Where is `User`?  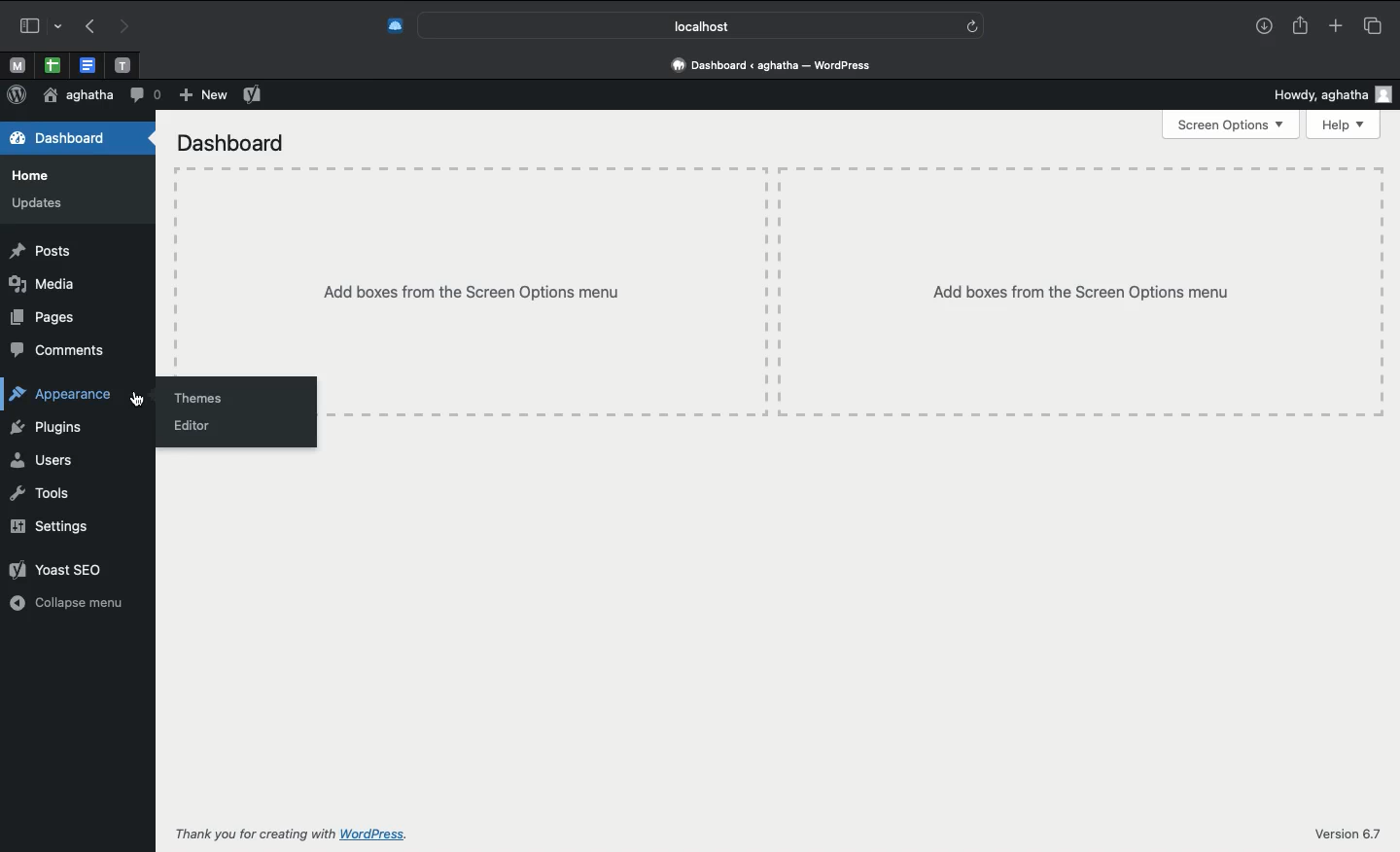 User is located at coordinates (75, 96).